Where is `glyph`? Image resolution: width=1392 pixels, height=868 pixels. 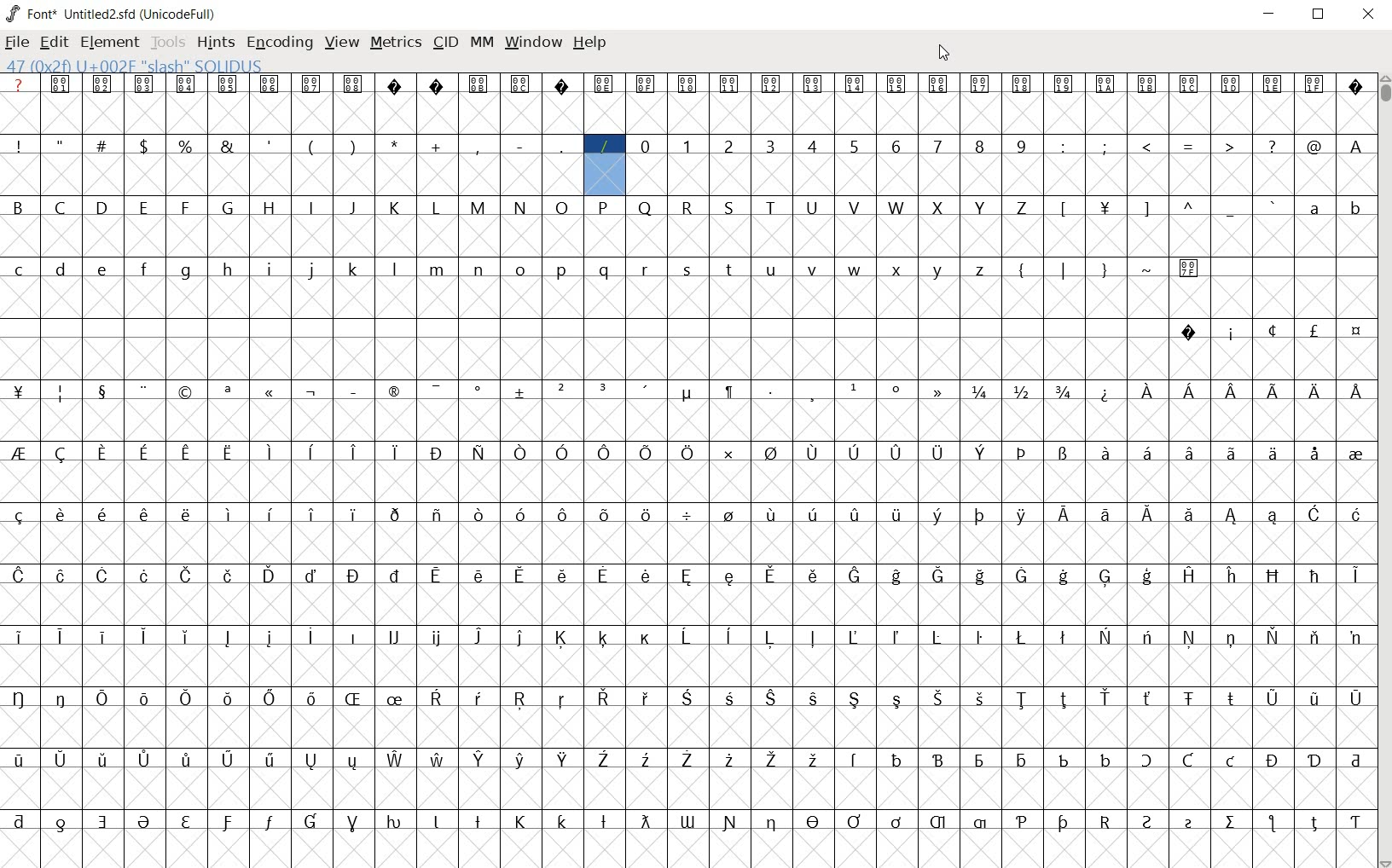
glyph is located at coordinates (731, 393).